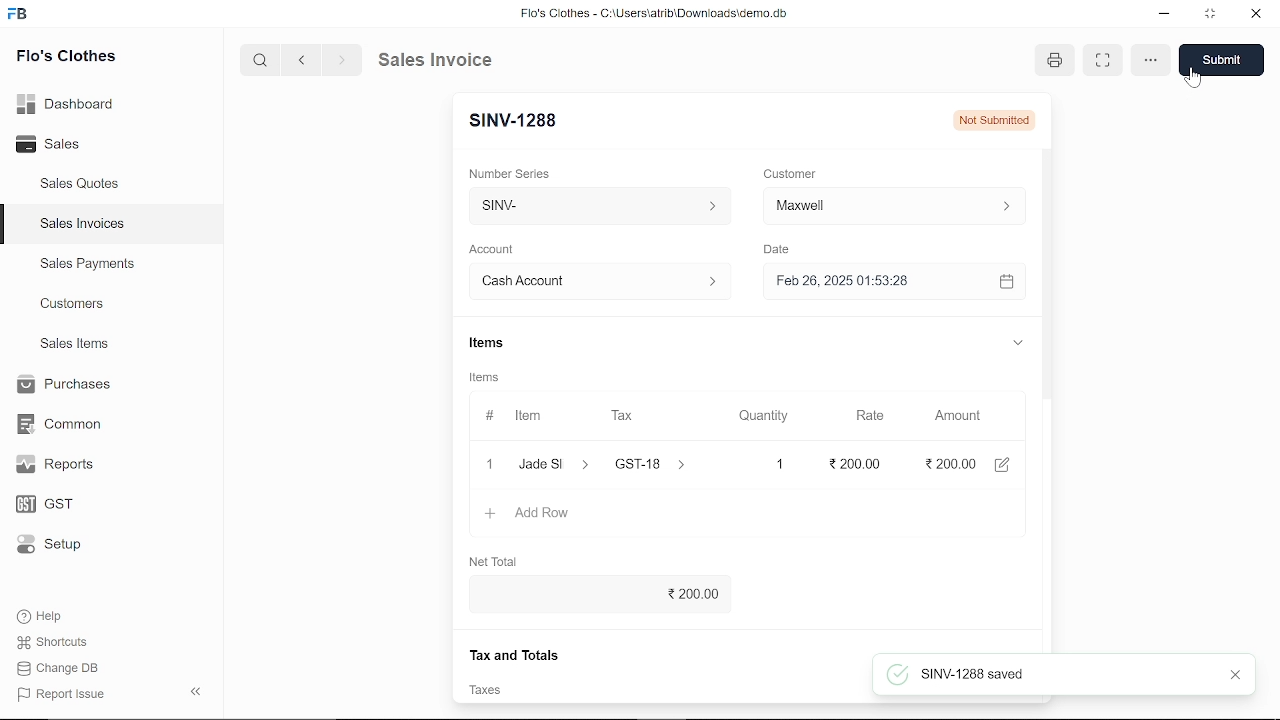  What do you see at coordinates (82, 185) in the screenshot?
I see `Sales Quotes` at bounding box center [82, 185].